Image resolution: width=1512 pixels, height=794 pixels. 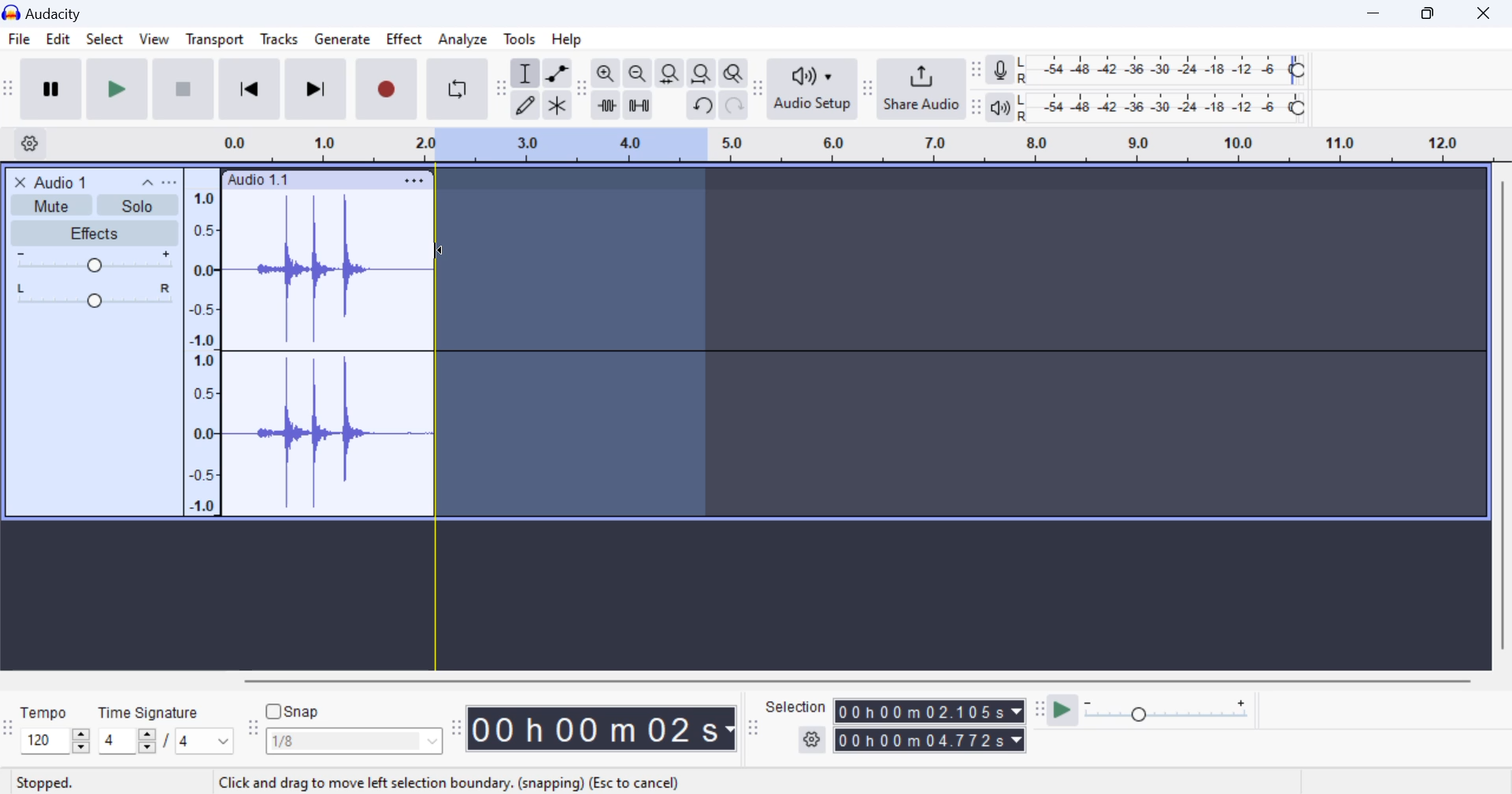 What do you see at coordinates (668, 75) in the screenshot?
I see `fit selection to width` at bounding box center [668, 75].